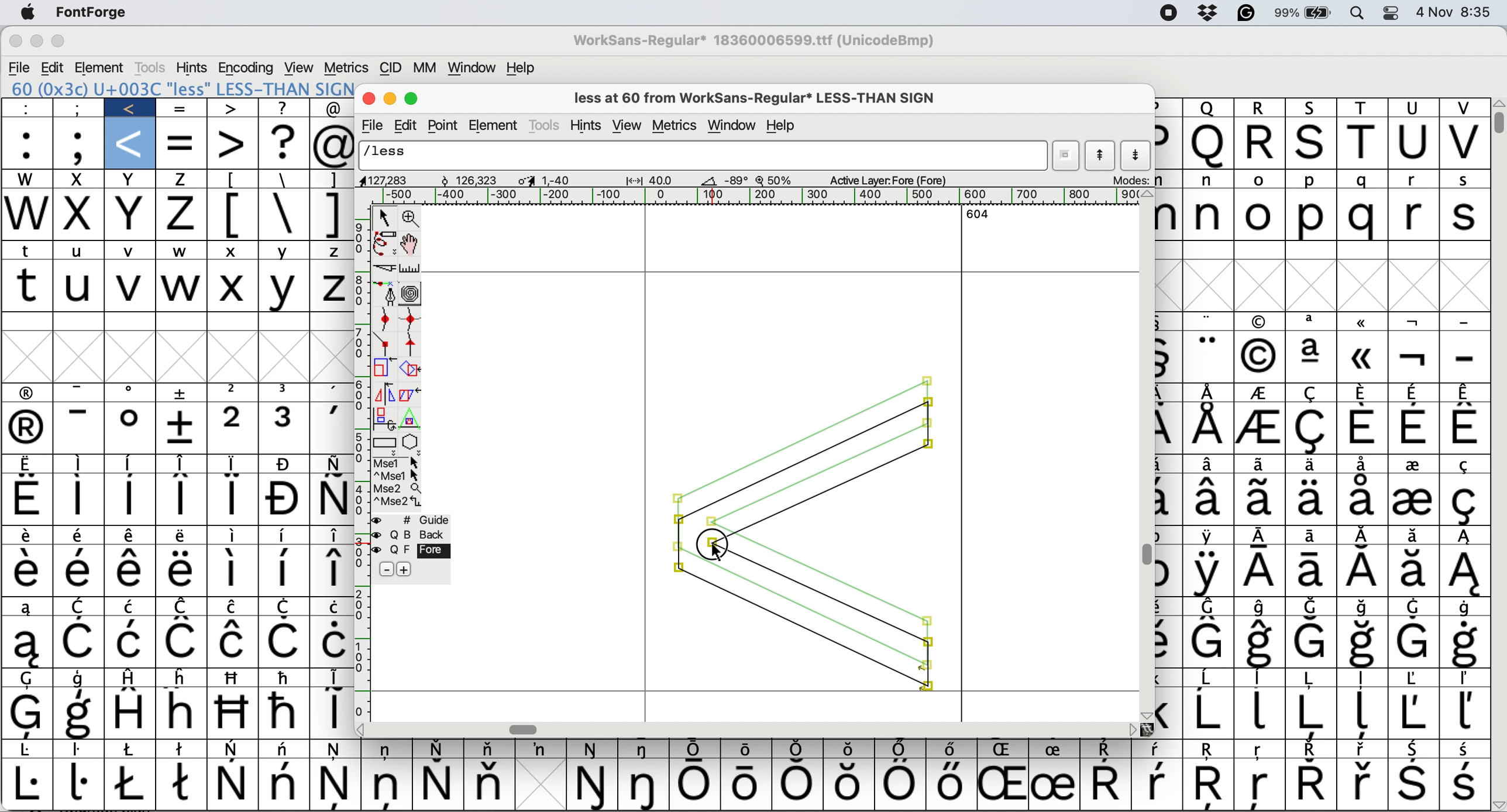 The height and width of the screenshot is (812, 1507). What do you see at coordinates (83, 500) in the screenshot?
I see `Symbol` at bounding box center [83, 500].